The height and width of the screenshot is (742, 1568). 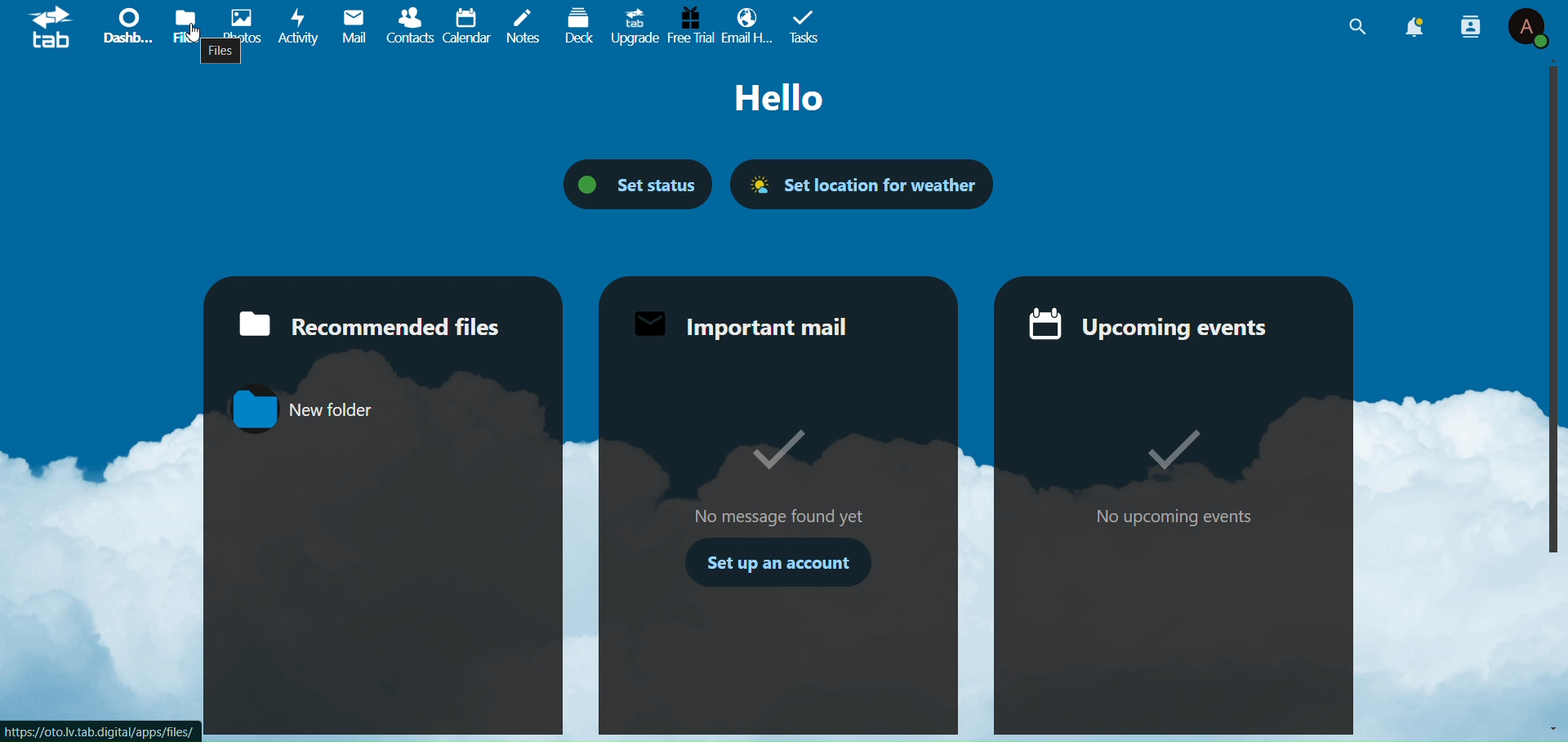 I want to click on Free Trial, so click(x=690, y=25).